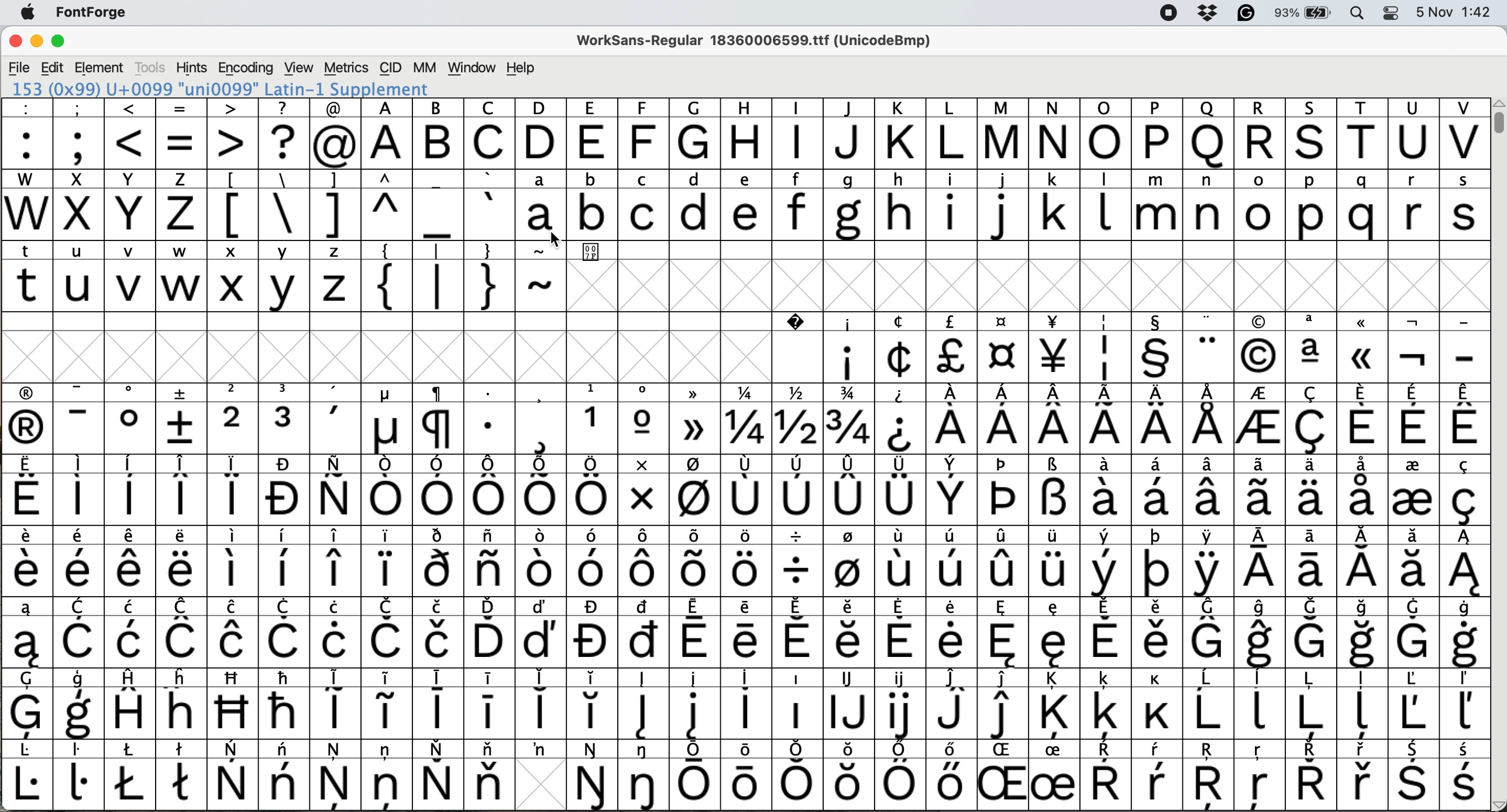 This screenshot has height=812, width=1507. What do you see at coordinates (439, 135) in the screenshot?
I see `B` at bounding box center [439, 135].